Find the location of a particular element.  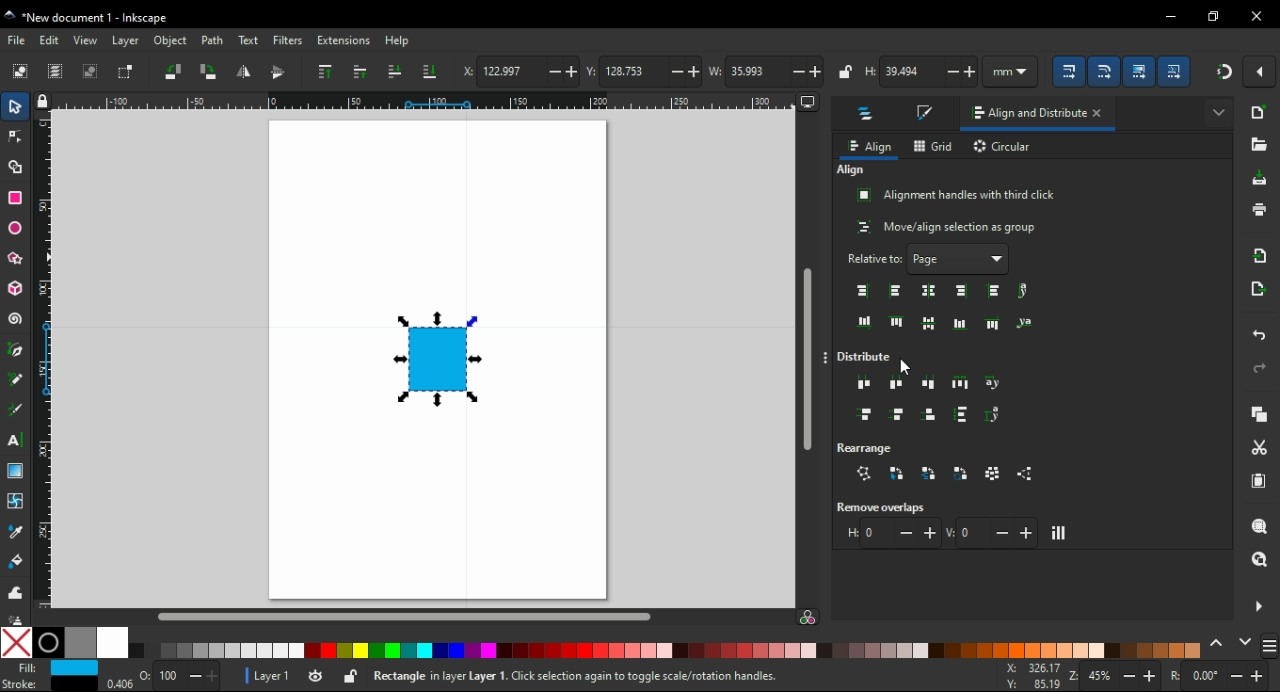

more options is located at coordinates (1258, 605).